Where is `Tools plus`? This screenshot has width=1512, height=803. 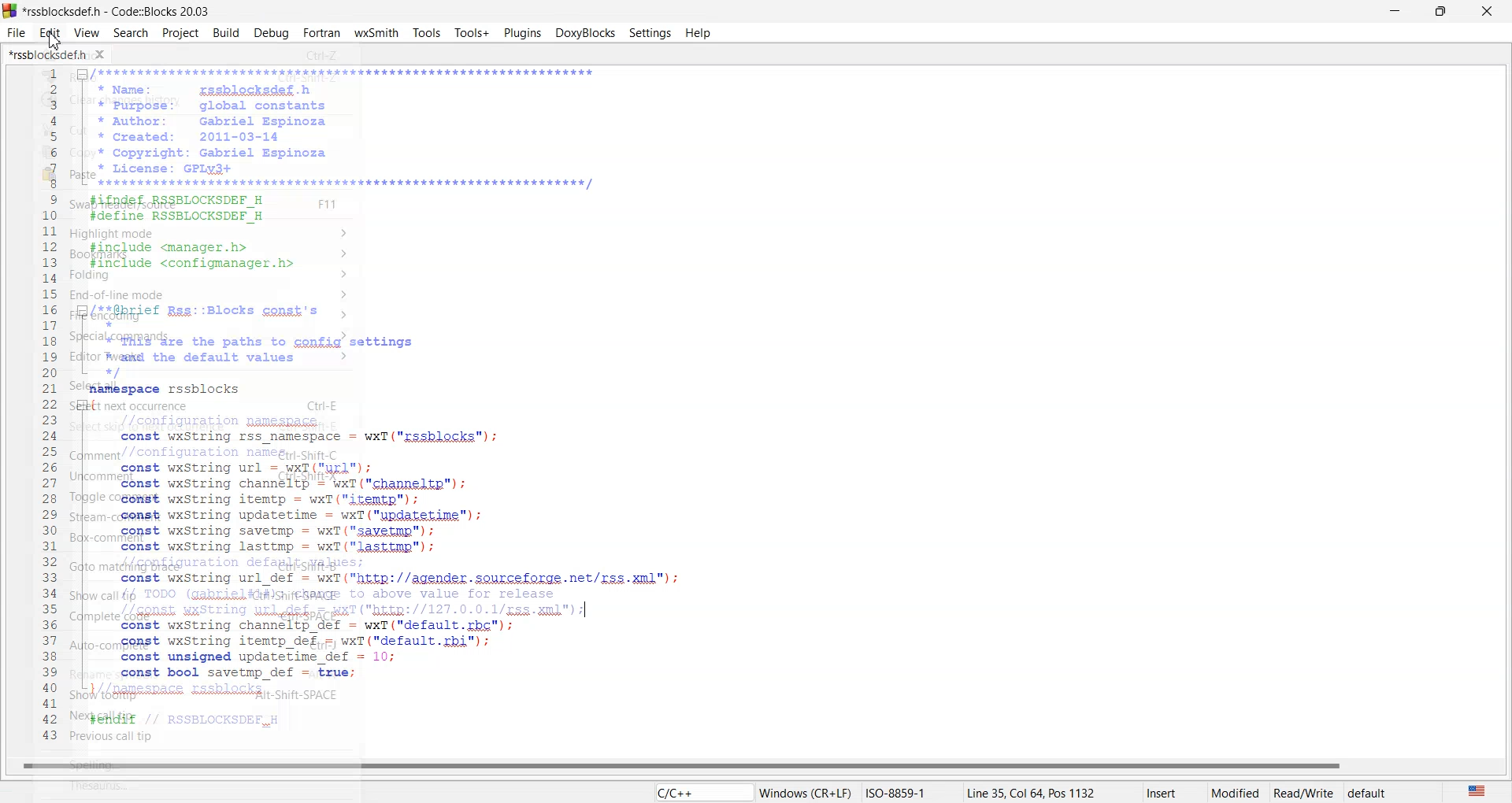
Tools plus is located at coordinates (472, 34).